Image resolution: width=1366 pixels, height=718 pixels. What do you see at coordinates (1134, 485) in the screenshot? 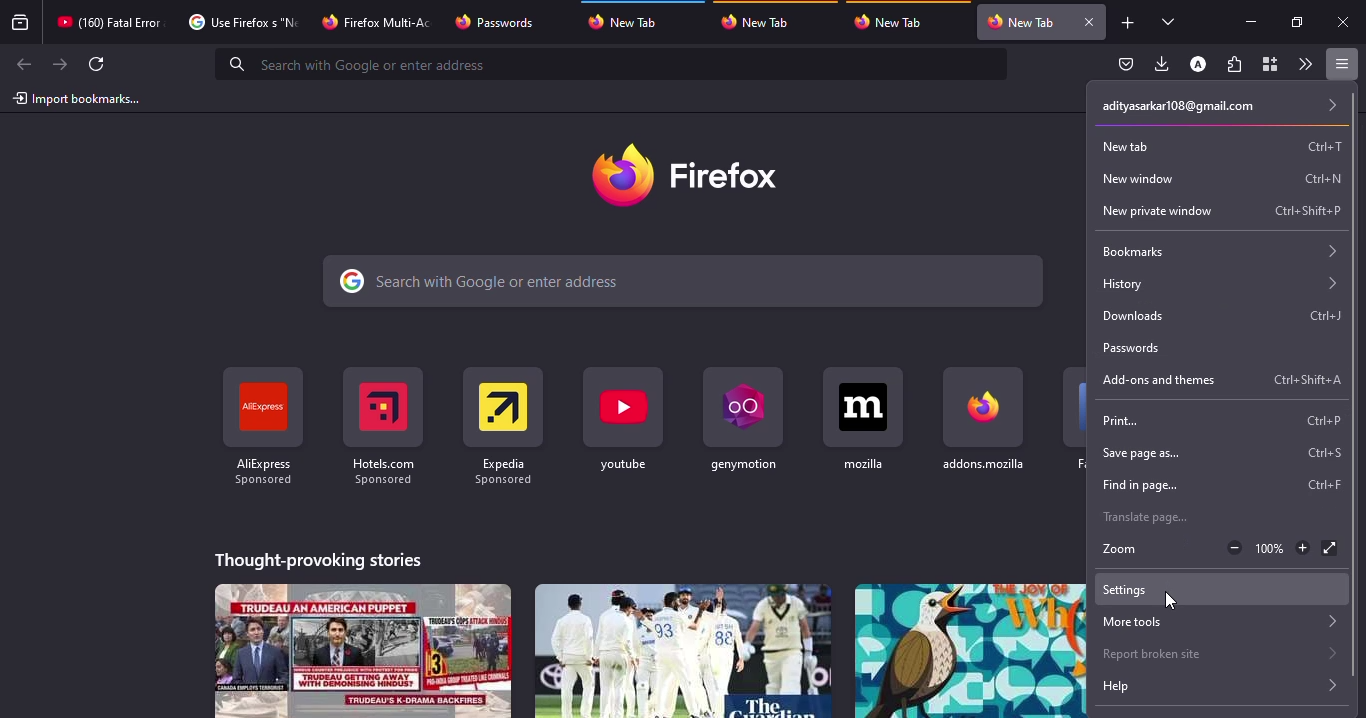
I see `find` at bounding box center [1134, 485].